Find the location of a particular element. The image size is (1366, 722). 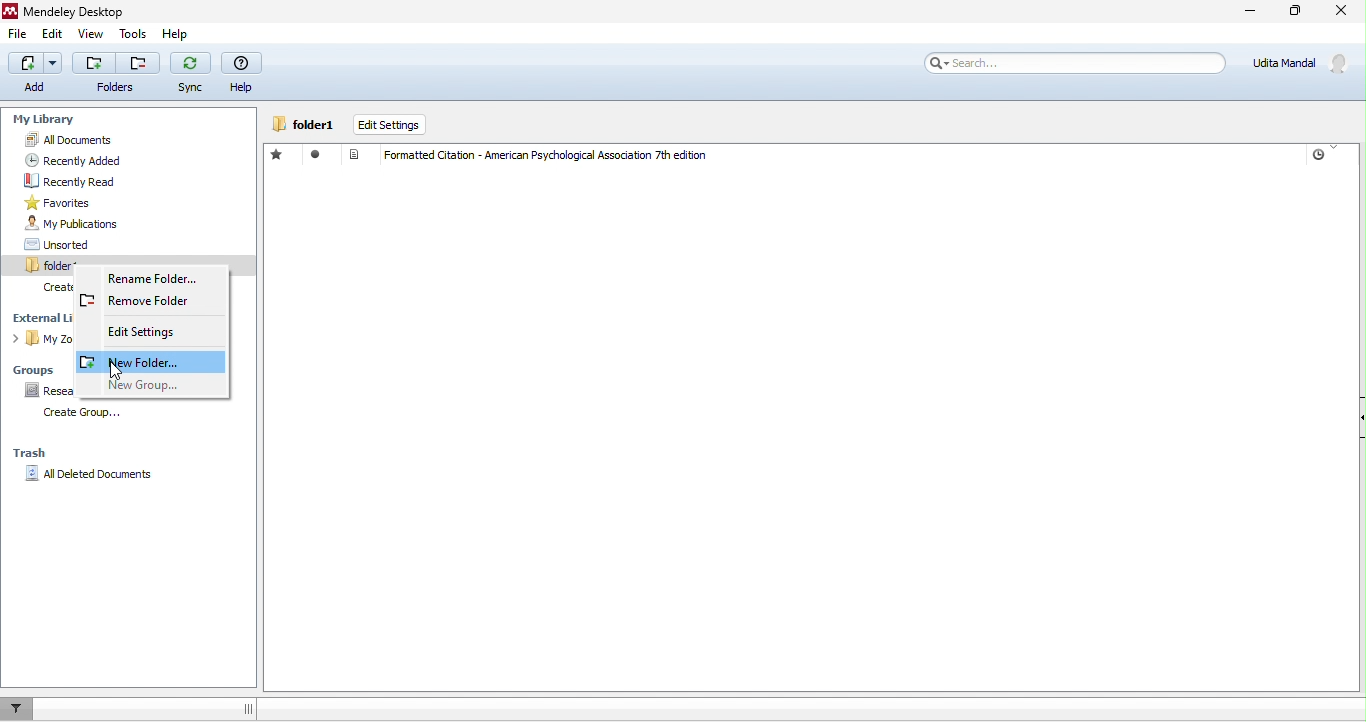

close is located at coordinates (1341, 10).